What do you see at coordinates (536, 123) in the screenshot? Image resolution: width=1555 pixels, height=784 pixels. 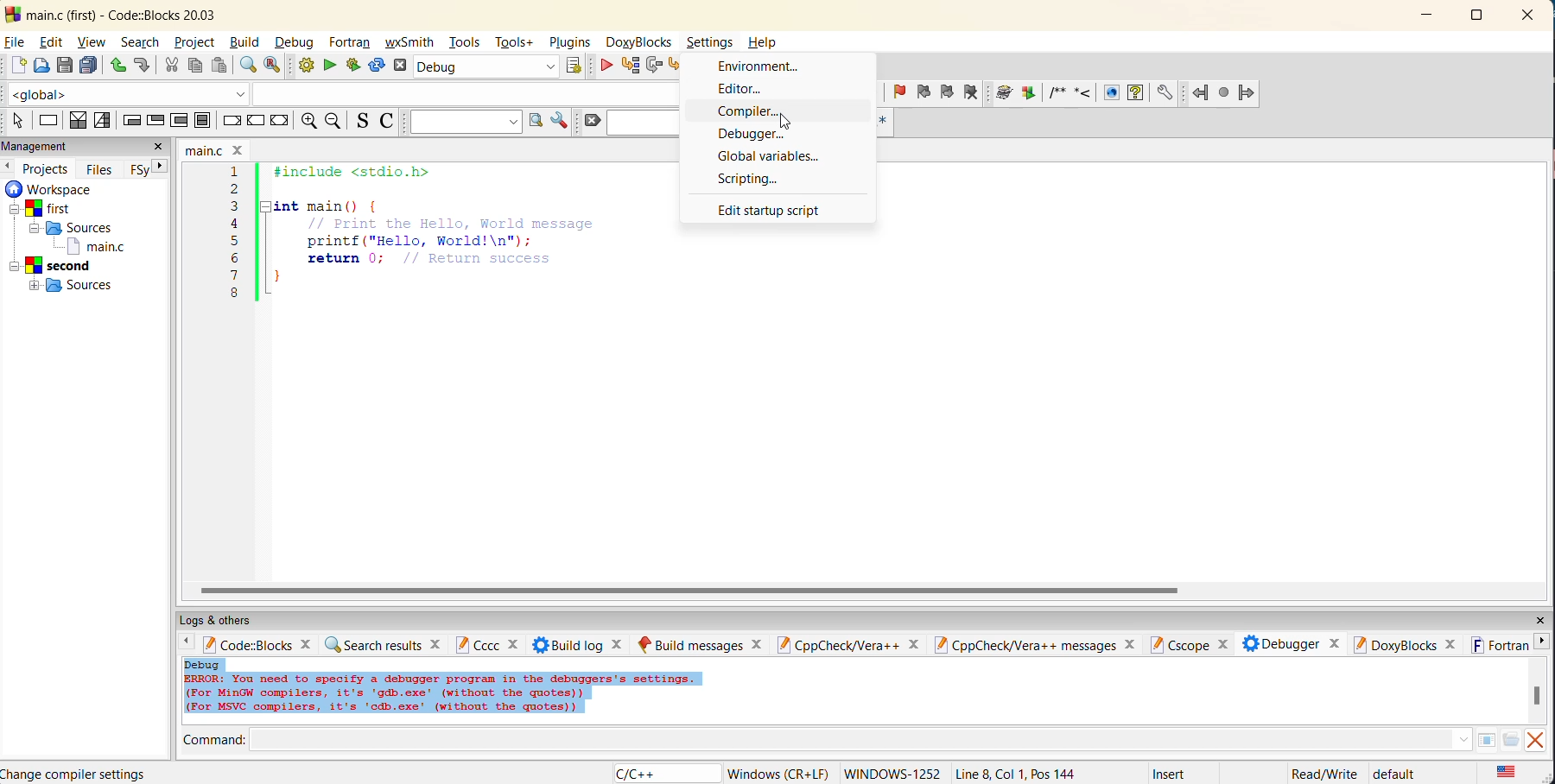 I see `run search` at bounding box center [536, 123].